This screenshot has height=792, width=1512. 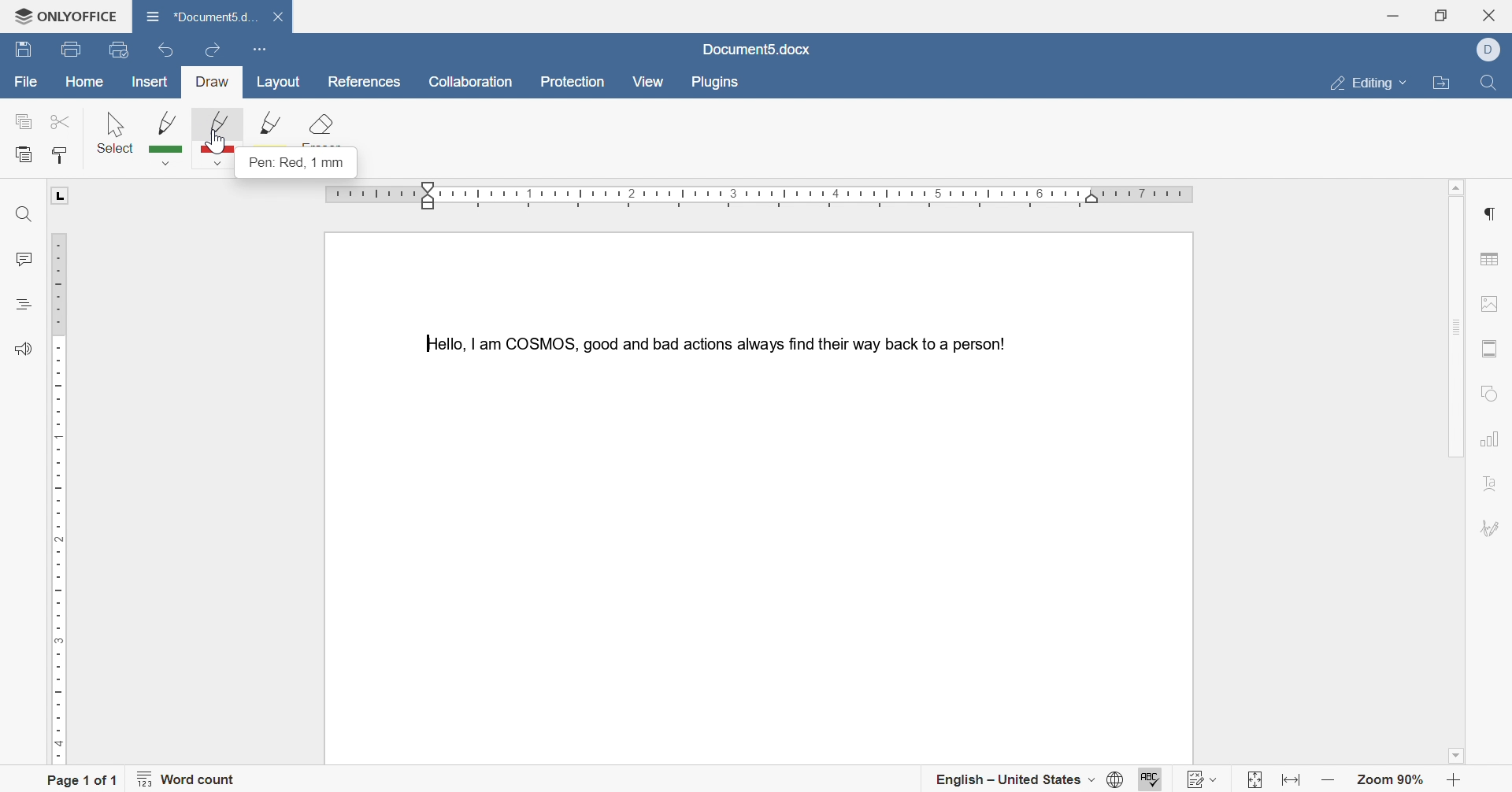 I want to click on zoom 90%, so click(x=1392, y=781).